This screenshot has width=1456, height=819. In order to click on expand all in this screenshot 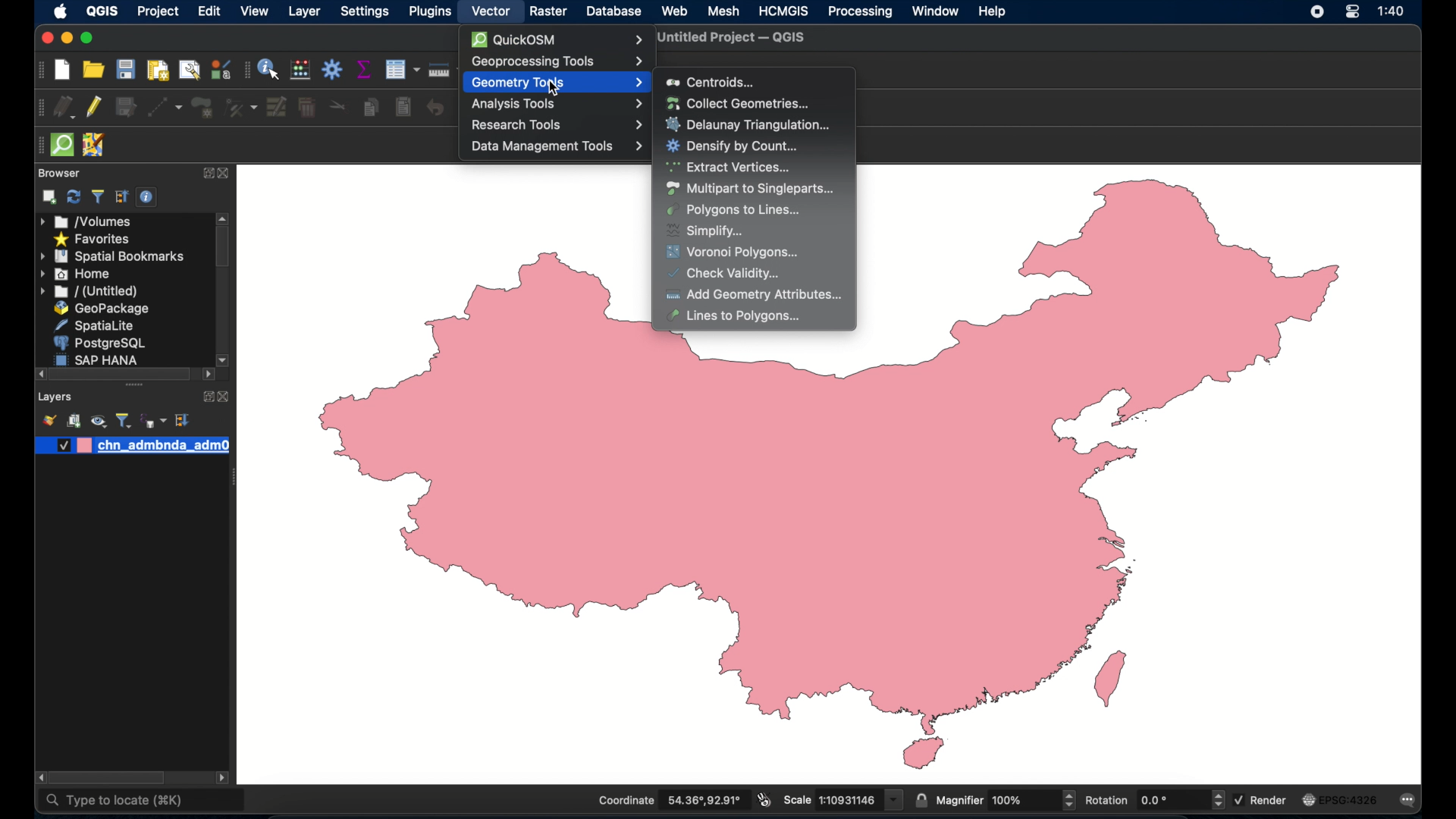, I will do `click(184, 420)`.